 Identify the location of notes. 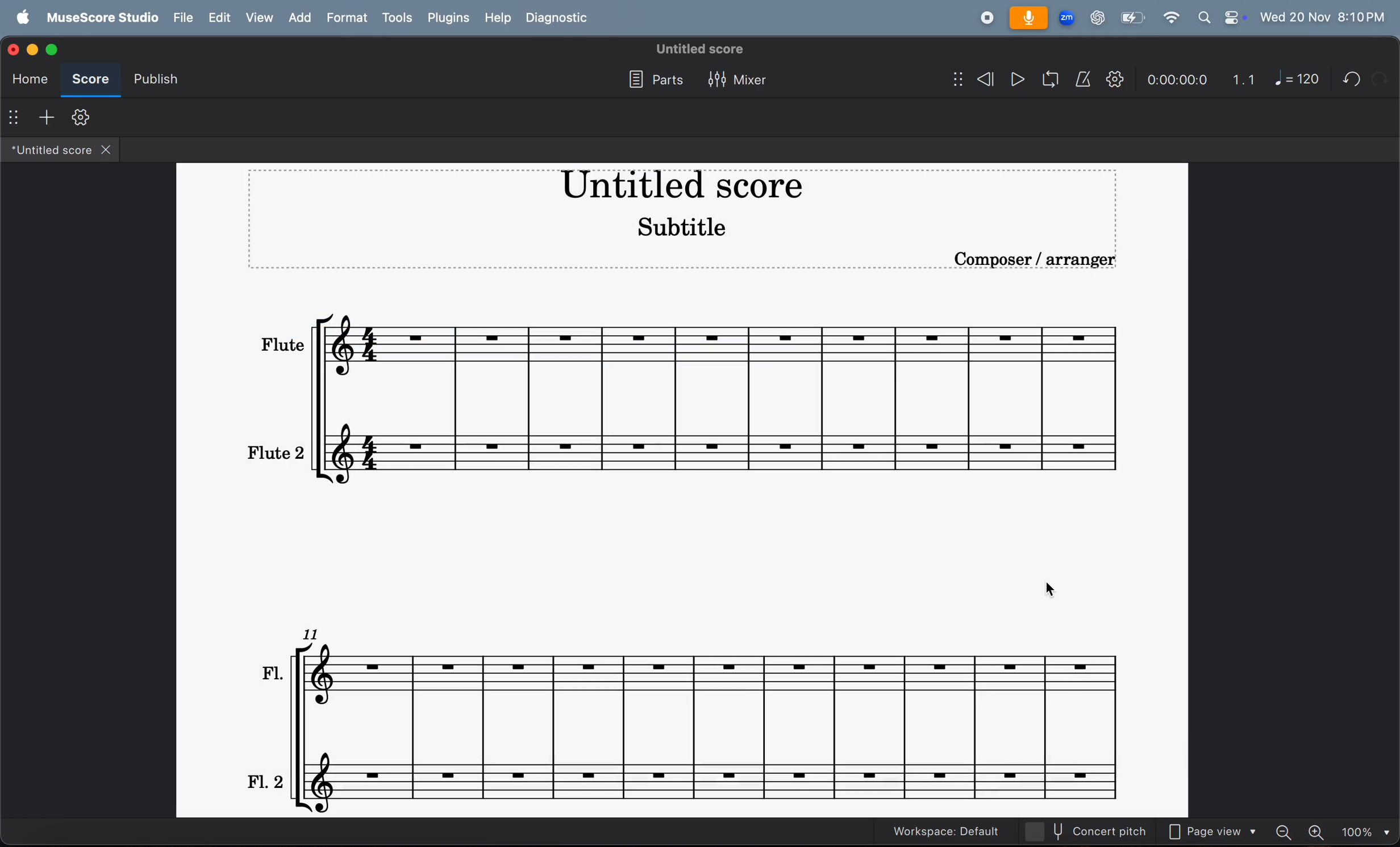
(680, 395).